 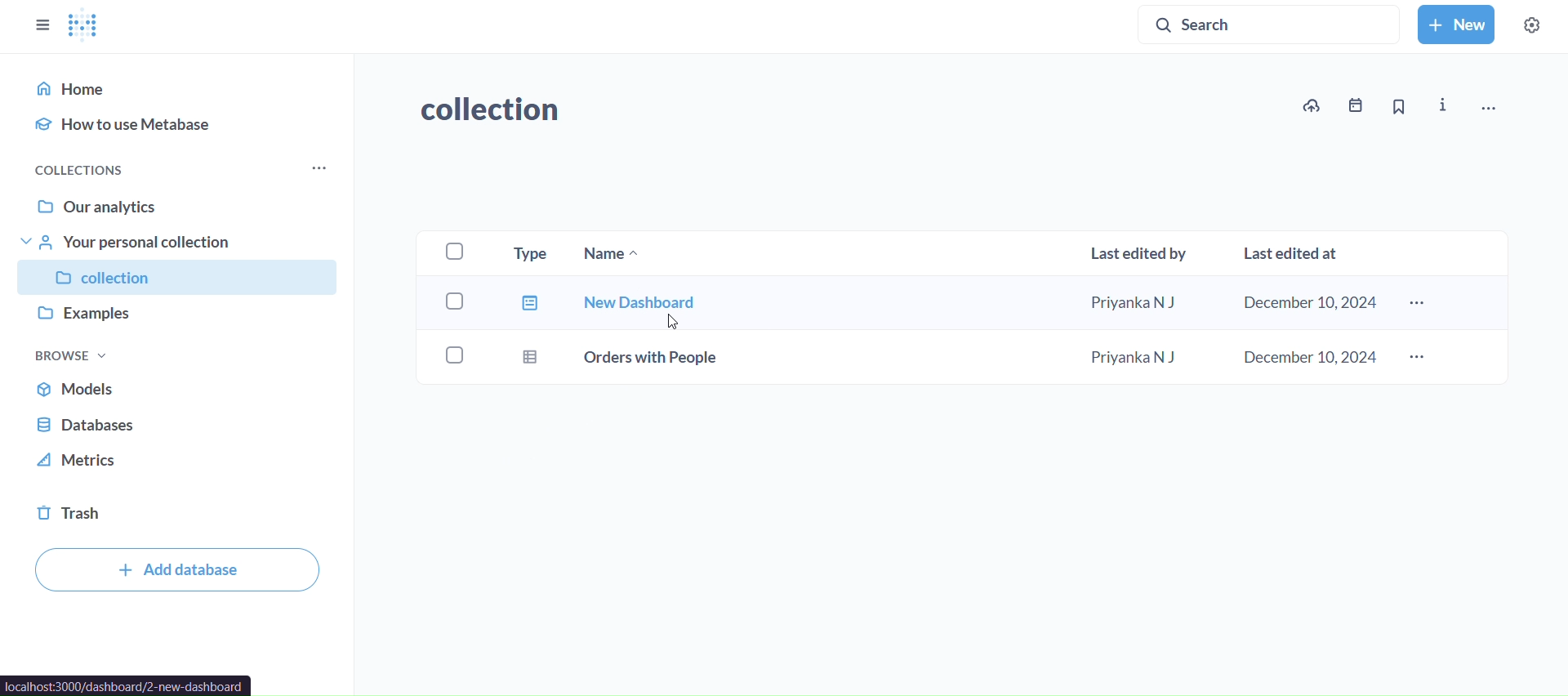 What do you see at coordinates (615, 256) in the screenshot?
I see `name` at bounding box center [615, 256].